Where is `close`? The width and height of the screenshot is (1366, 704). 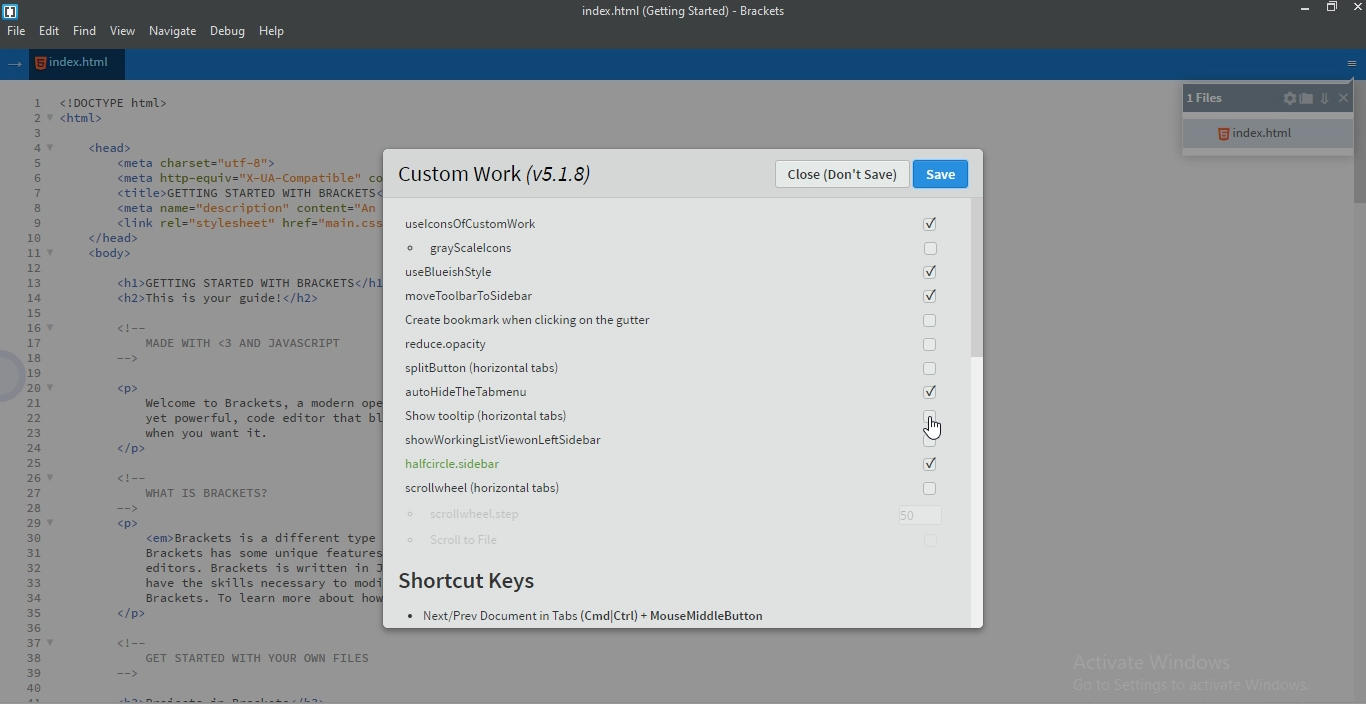
close is located at coordinates (1357, 7).